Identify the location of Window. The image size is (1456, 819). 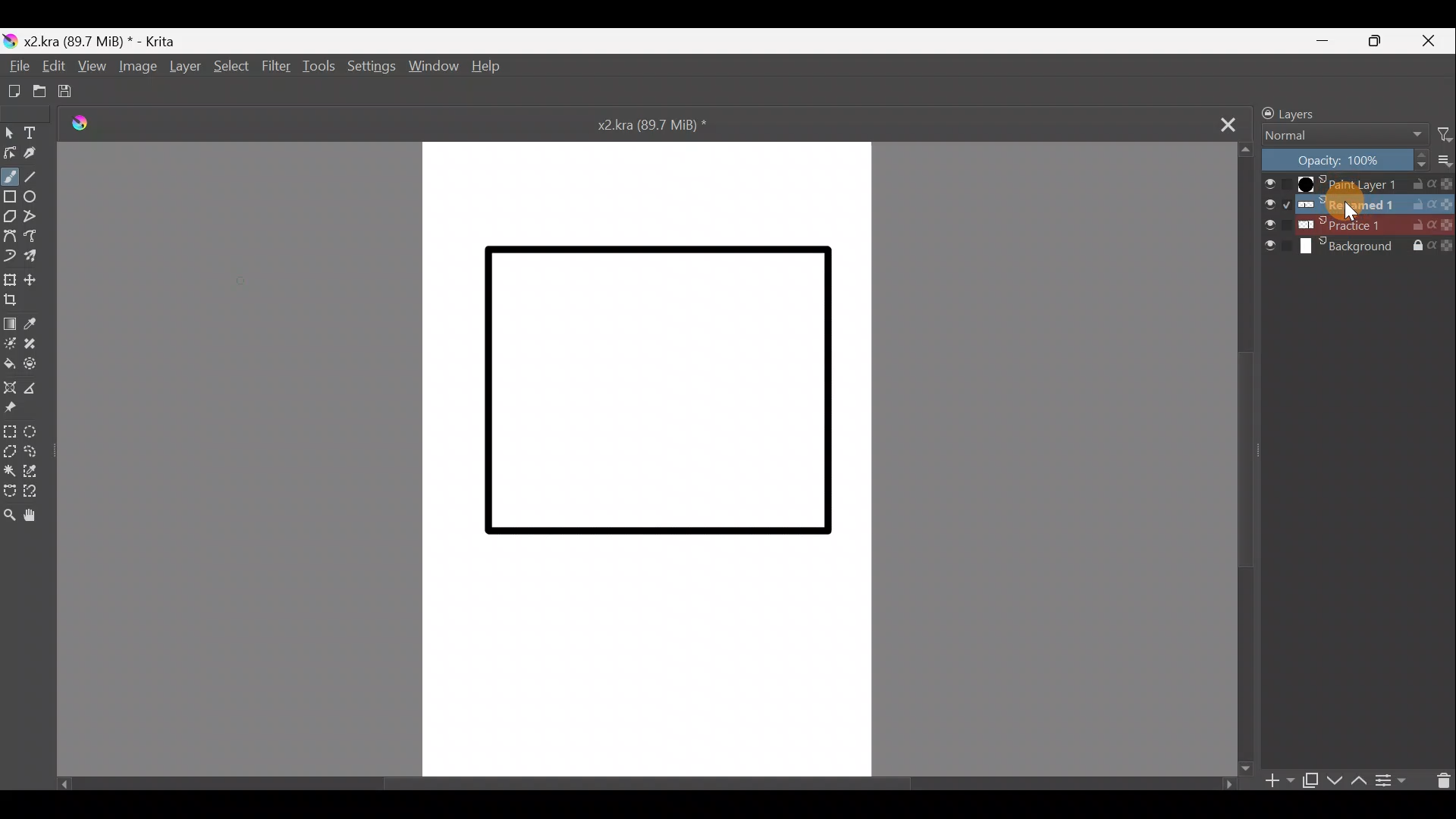
(434, 66).